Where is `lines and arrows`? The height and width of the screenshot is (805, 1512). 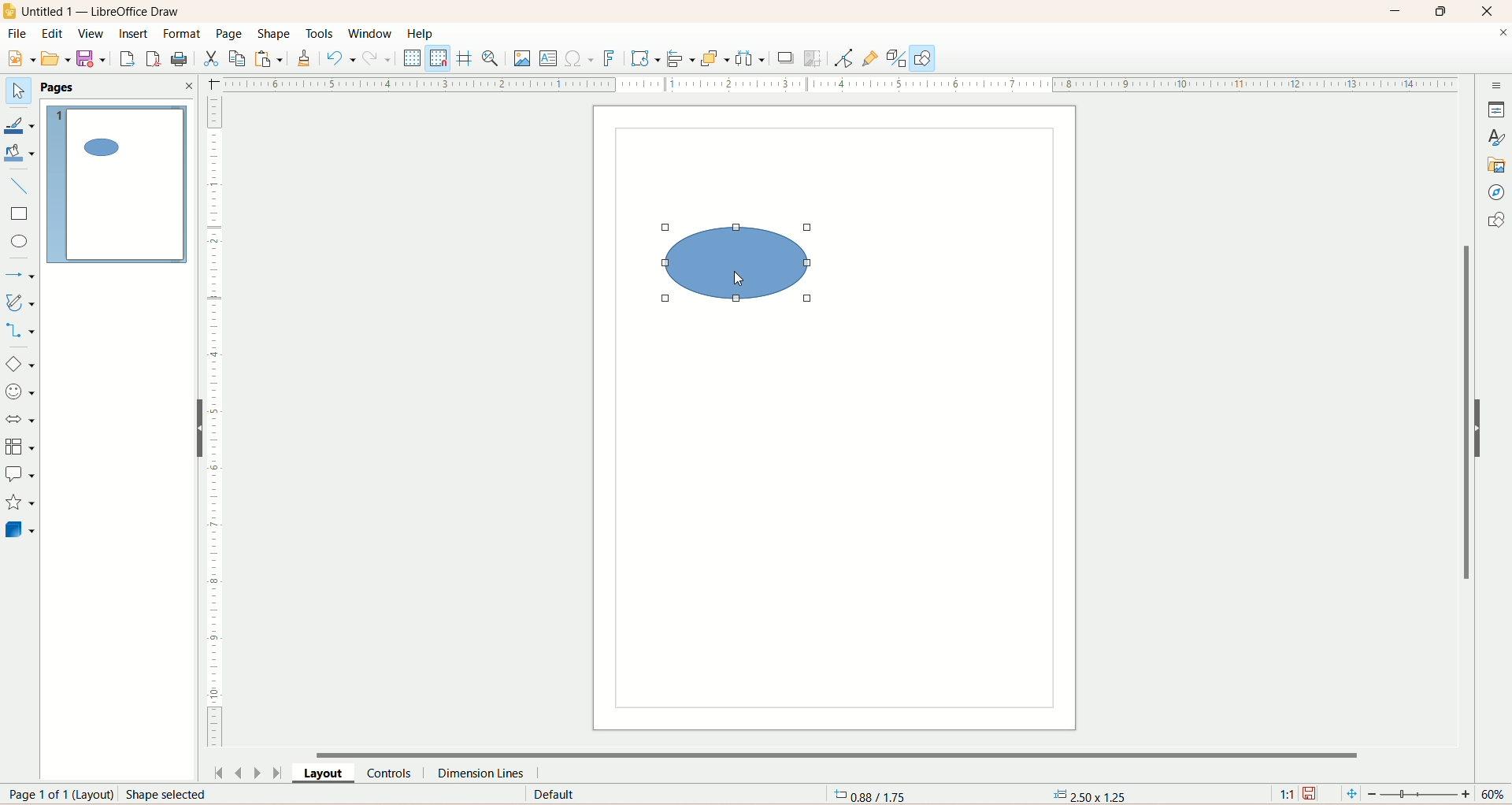
lines and arrows is located at coordinates (20, 275).